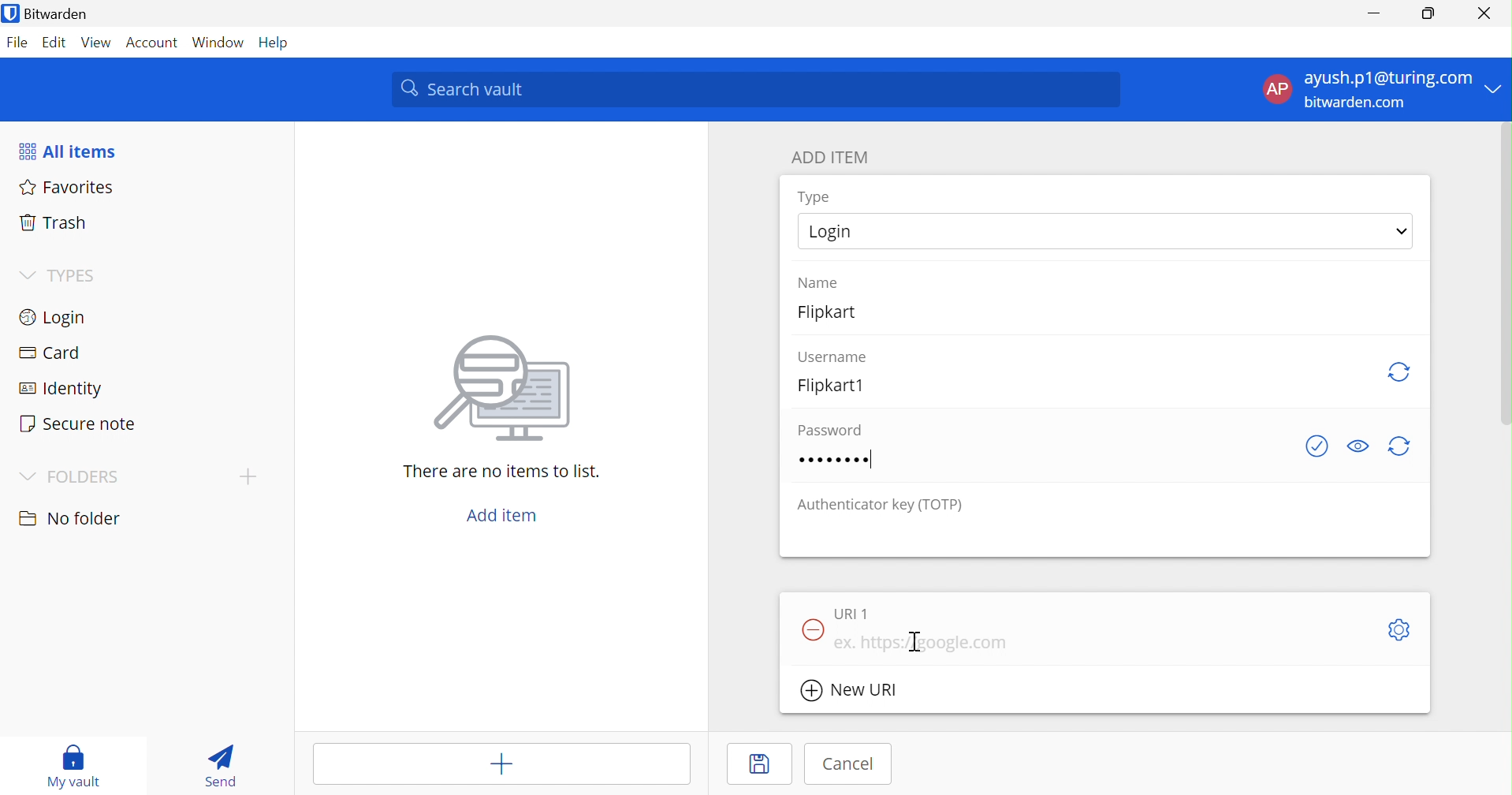  I want to click on New URL, so click(859, 692).